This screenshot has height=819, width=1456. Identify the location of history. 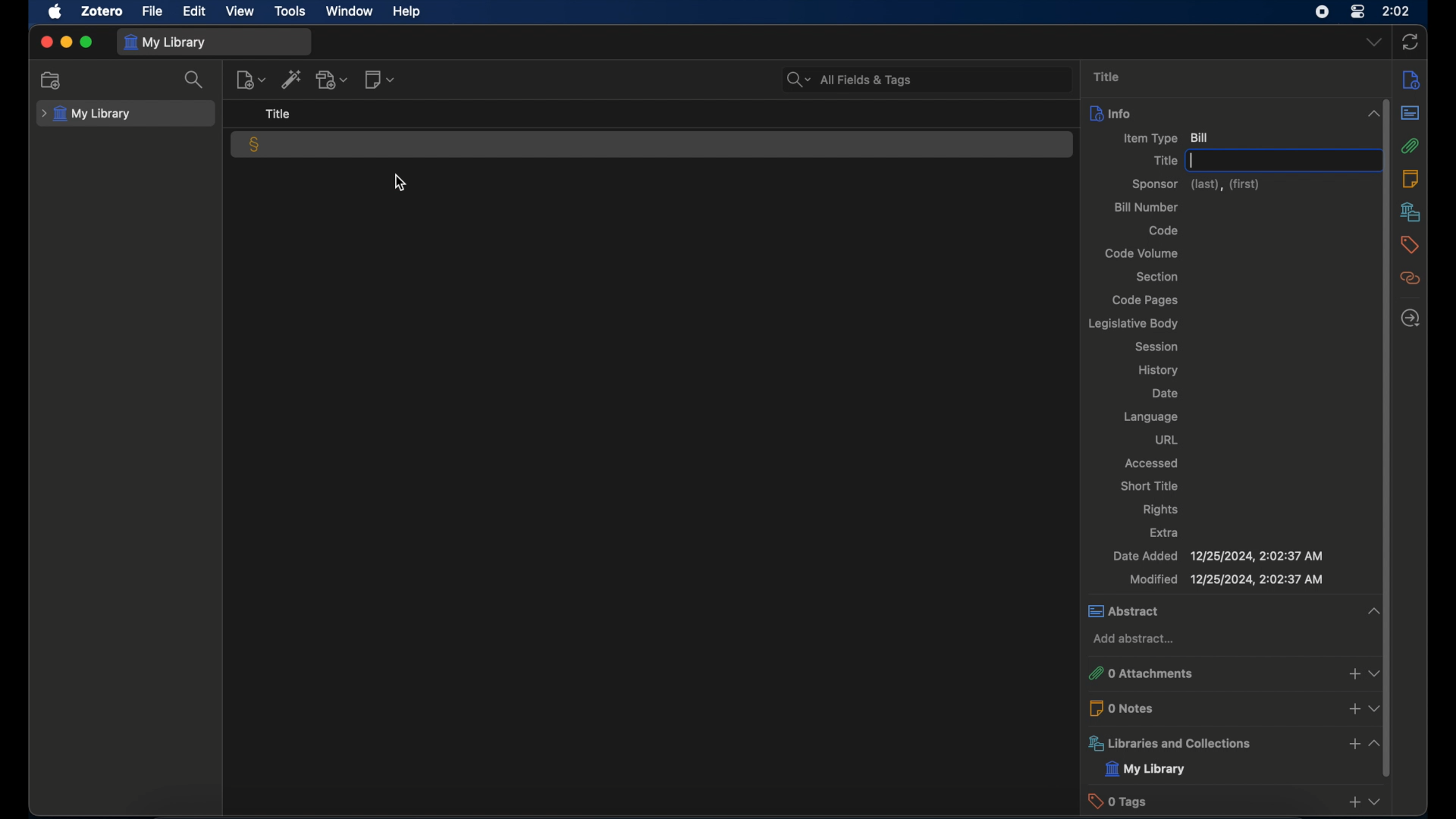
(1159, 369).